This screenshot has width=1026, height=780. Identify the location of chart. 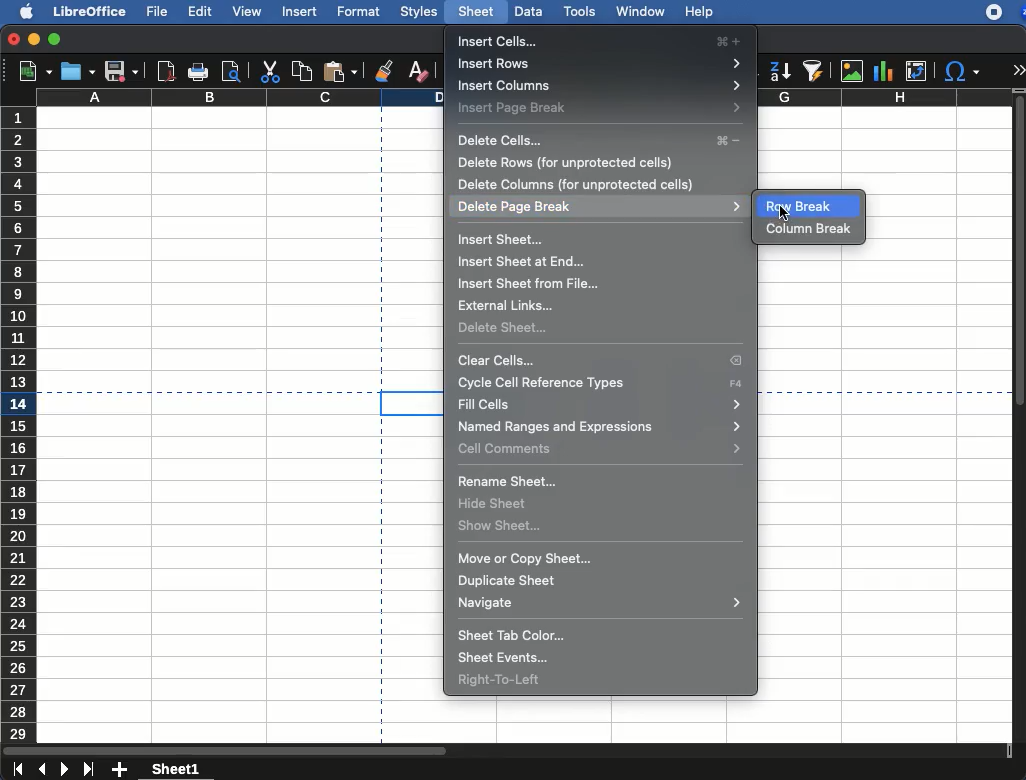
(884, 72).